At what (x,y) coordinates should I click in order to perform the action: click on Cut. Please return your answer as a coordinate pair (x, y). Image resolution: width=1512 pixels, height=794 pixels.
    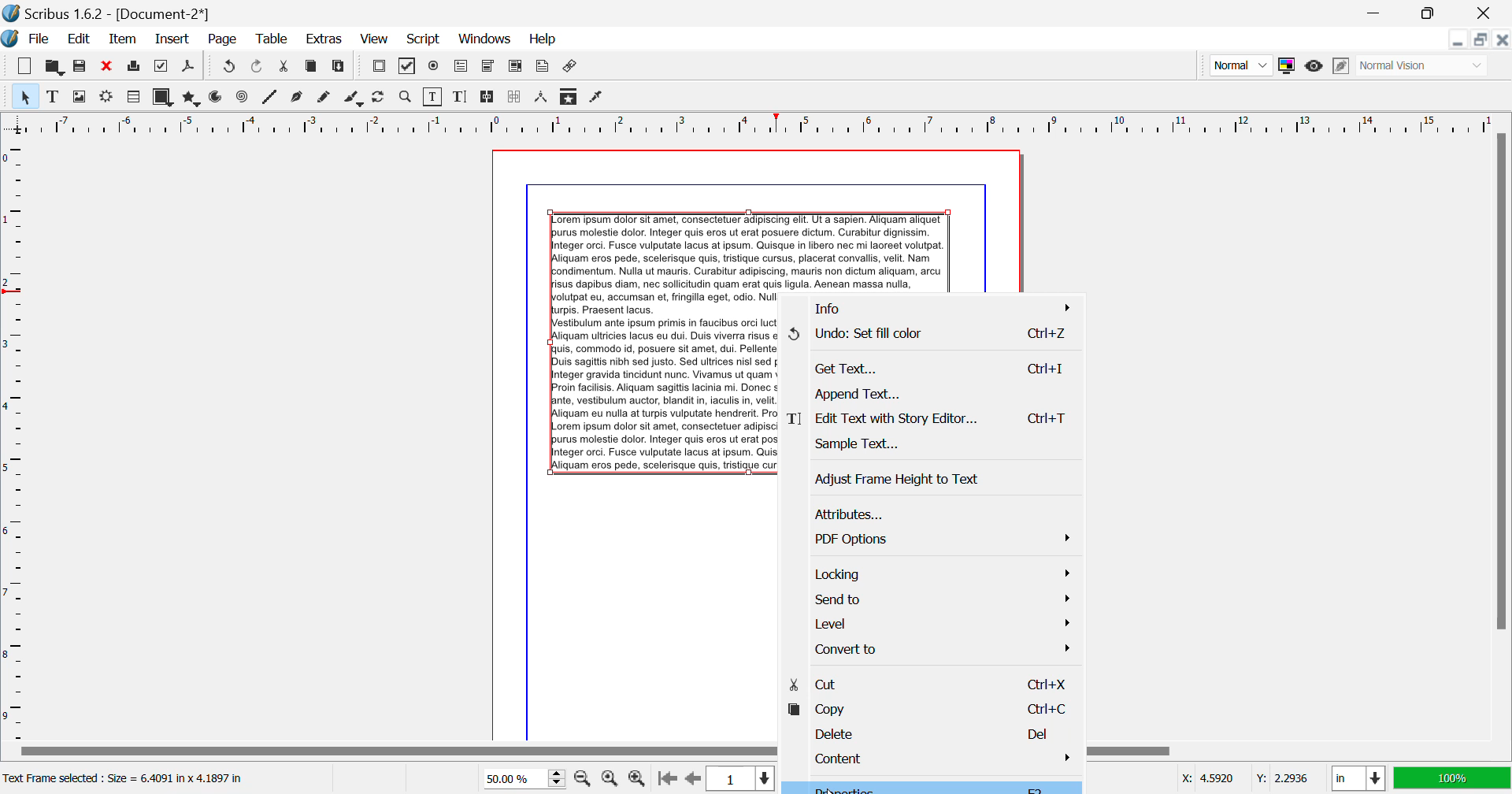
    Looking at the image, I should click on (927, 683).